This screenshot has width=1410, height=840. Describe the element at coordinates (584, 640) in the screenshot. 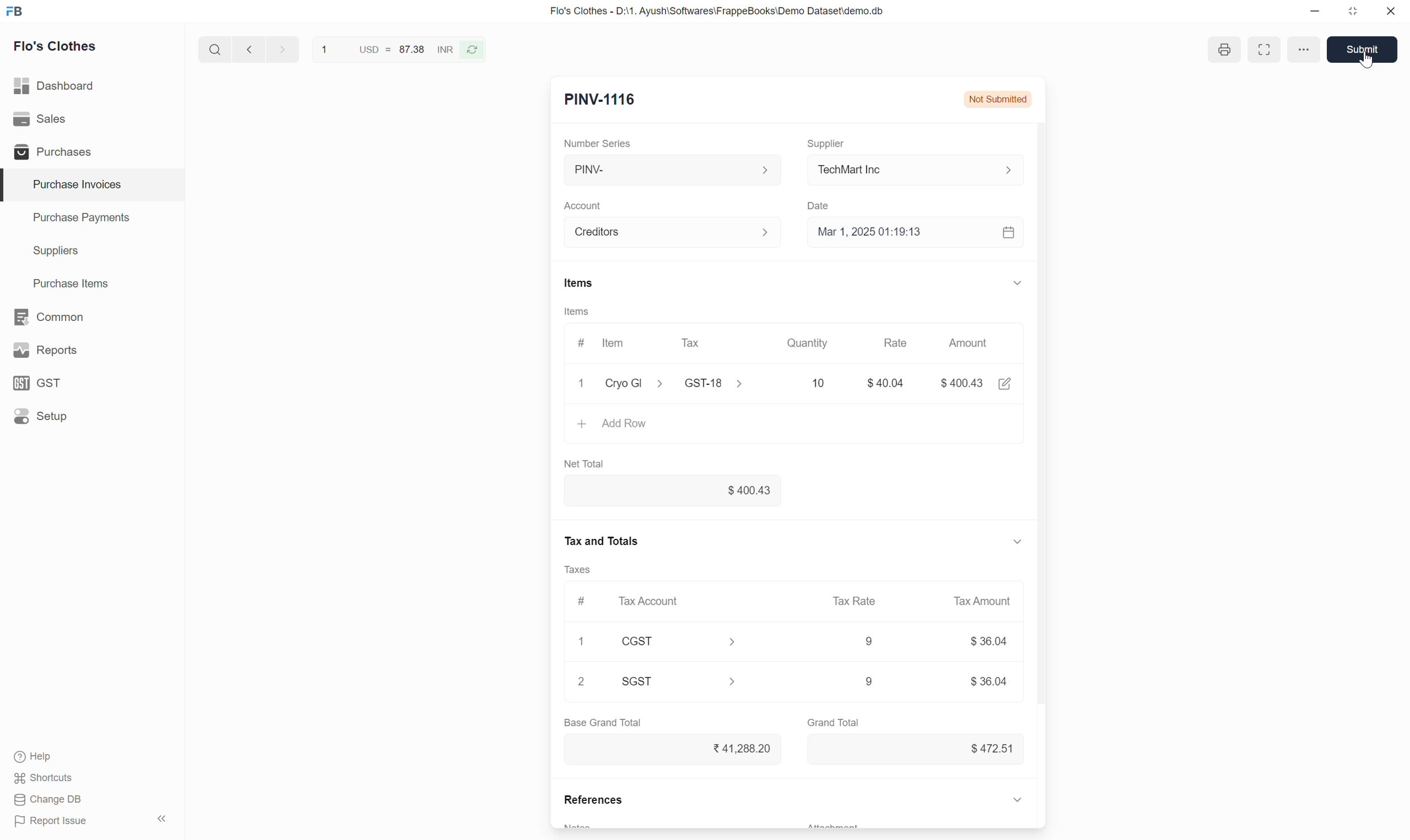

I see `1` at that location.